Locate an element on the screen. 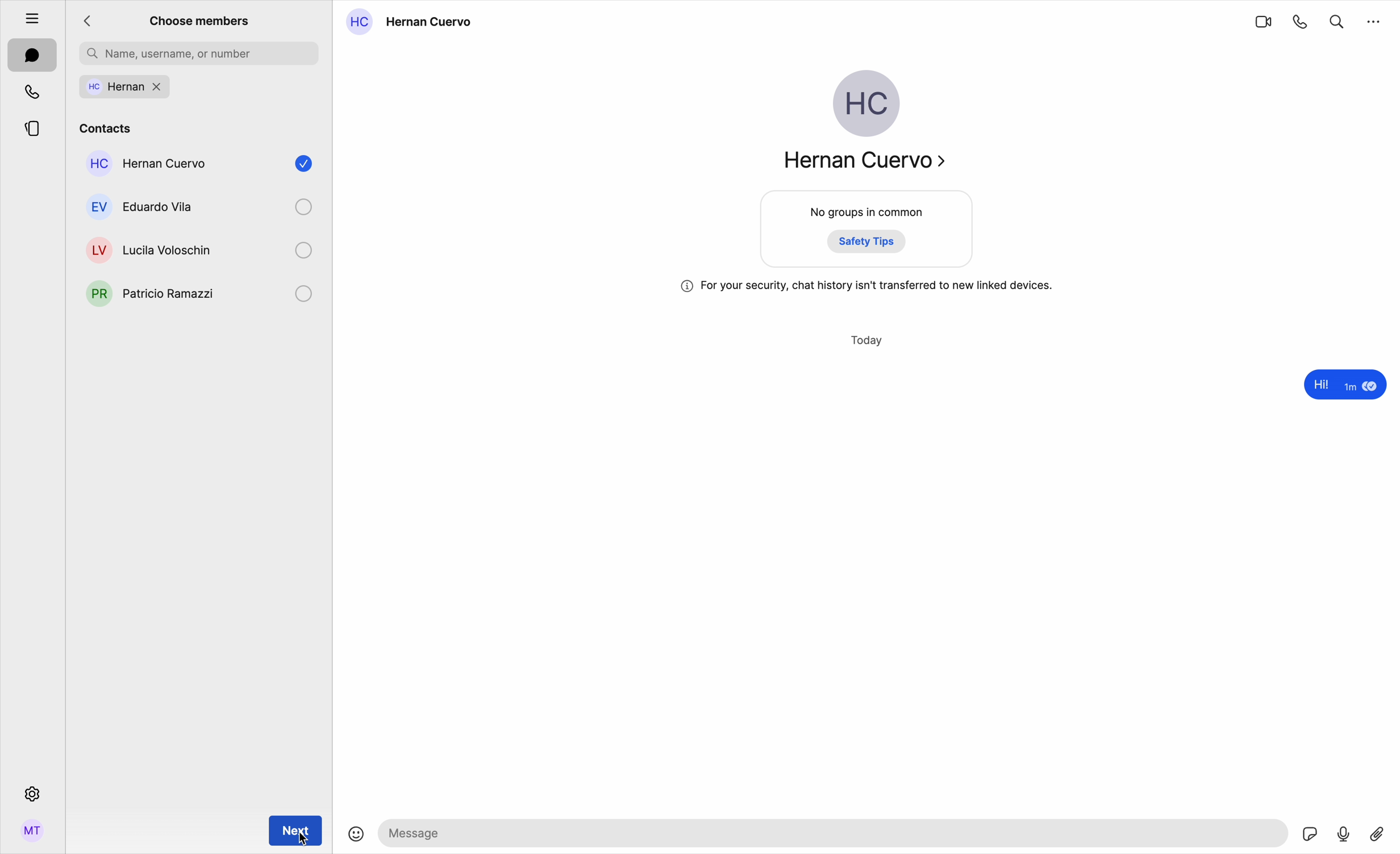 The height and width of the screenshot is (854, 1400). eduardo vila is located at coordinates (149, 206).